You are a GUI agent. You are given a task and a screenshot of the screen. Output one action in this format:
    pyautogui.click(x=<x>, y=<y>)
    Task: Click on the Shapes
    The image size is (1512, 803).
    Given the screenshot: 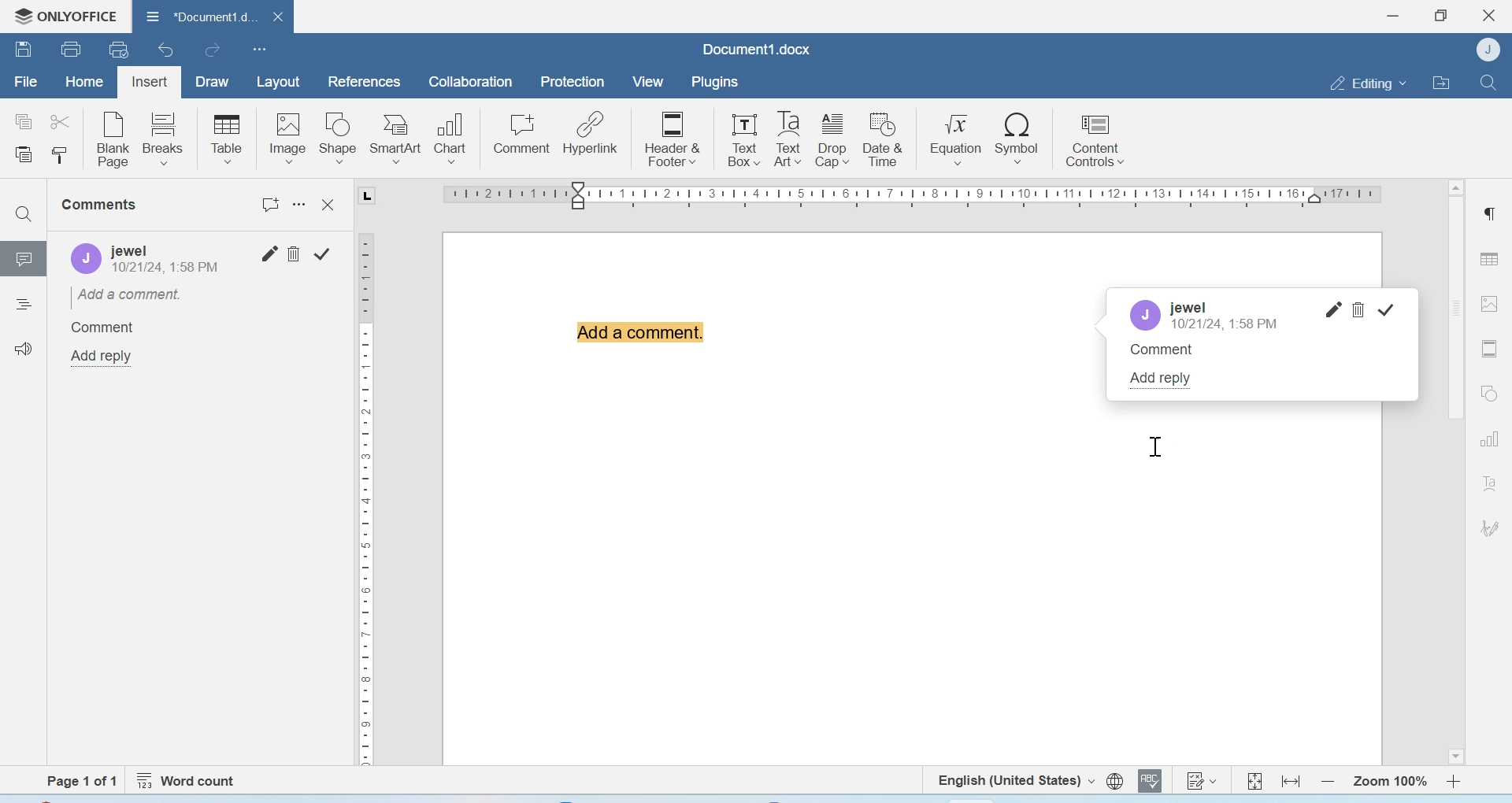 What is the action you would take?
    pyautogui.click(x=1492, y=392)
    